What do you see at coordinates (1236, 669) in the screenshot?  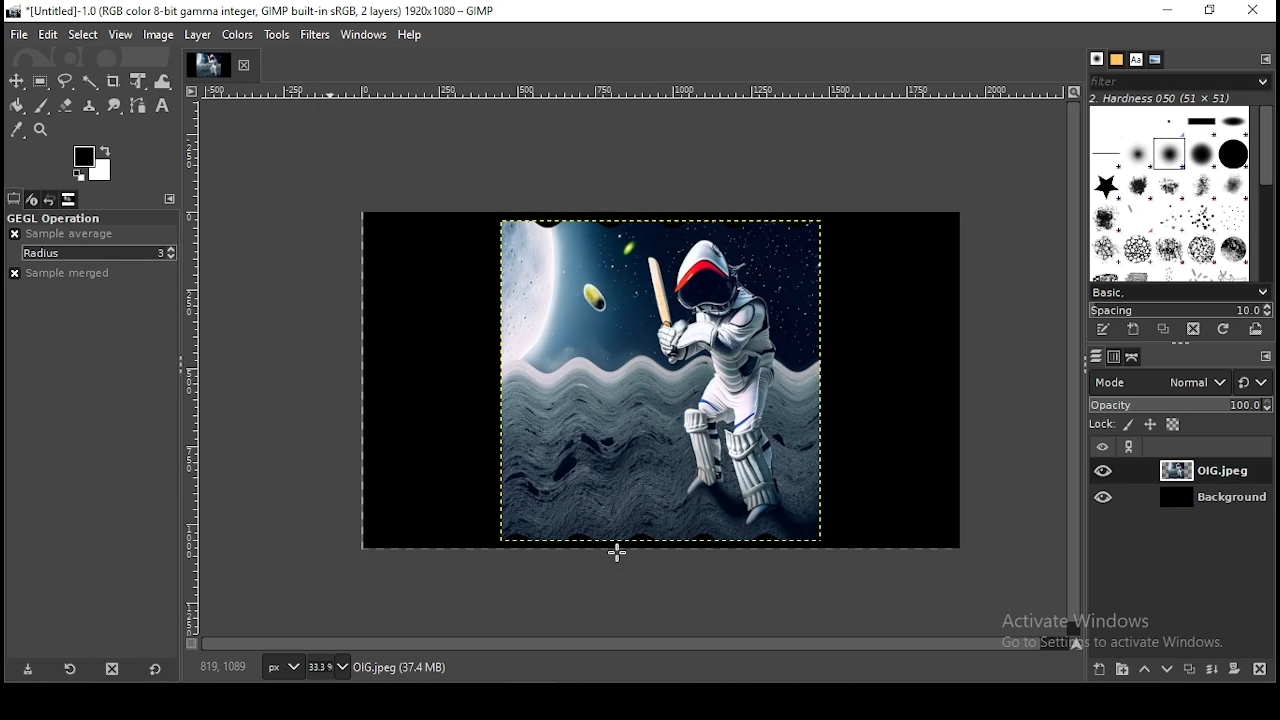 I see `add a mask that allows non-destructive editing of transperancy` at bounding box center [1236, 669].